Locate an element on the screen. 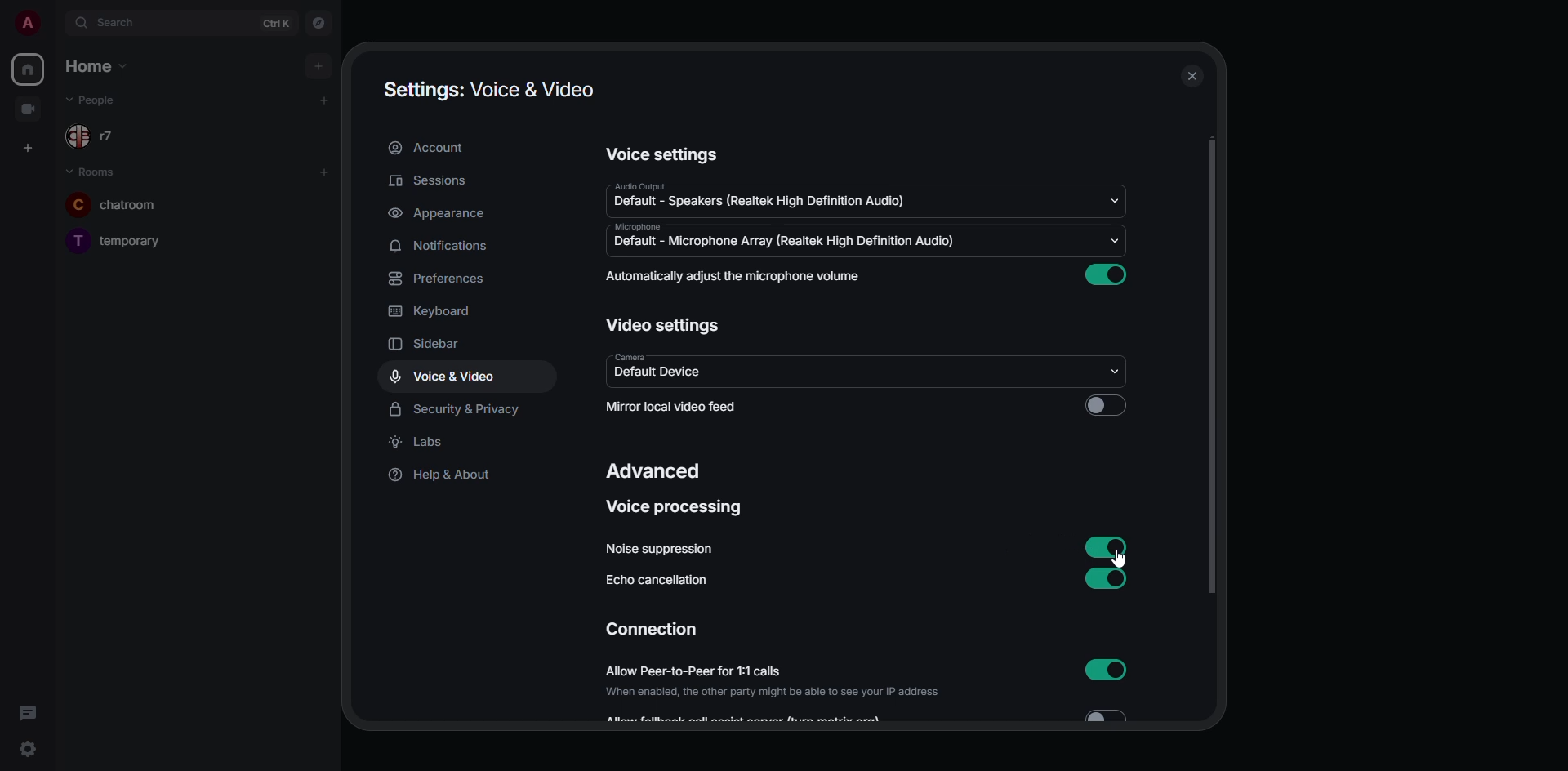 The width and height of the screenshot is (1568, 771). default is located at coordinates (761, 202).